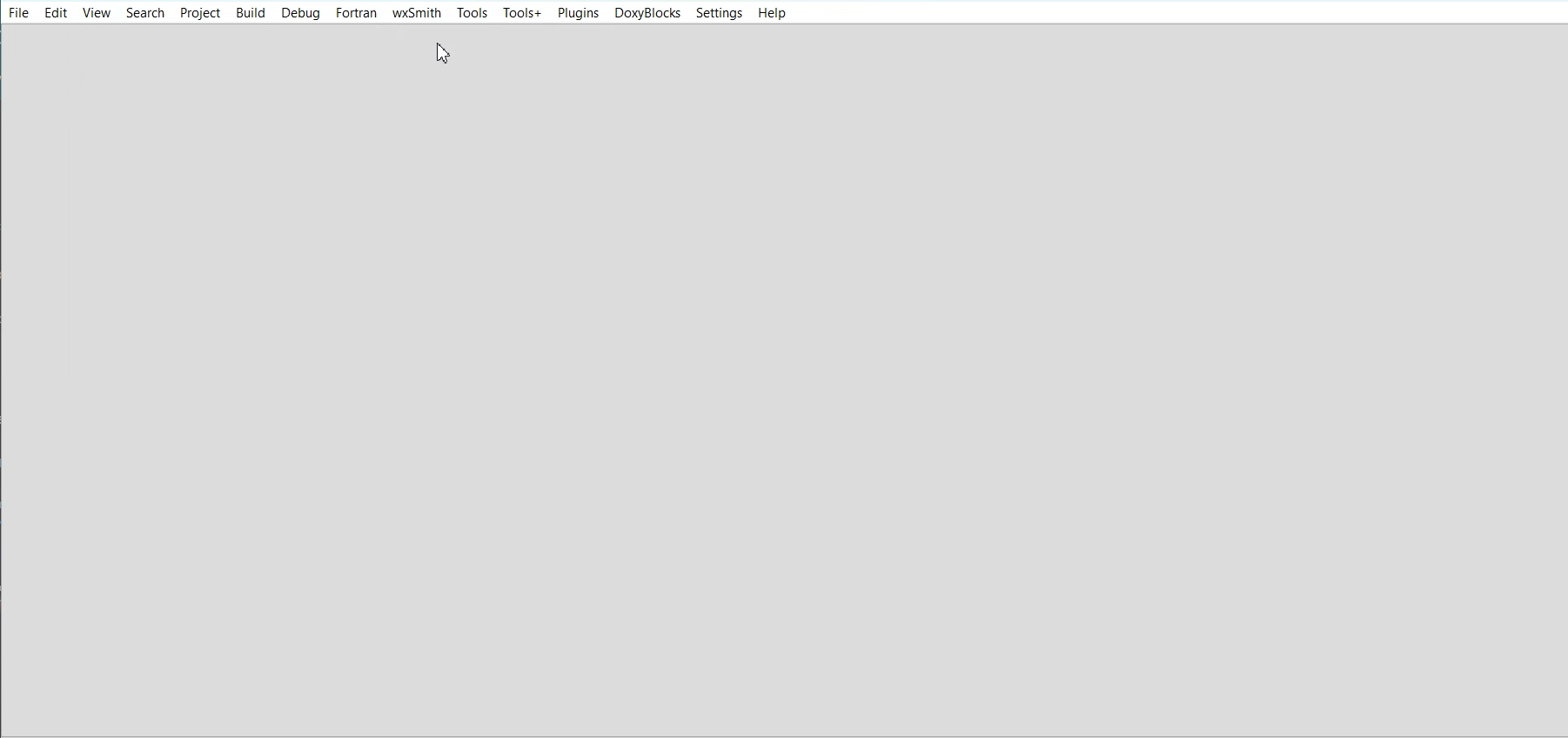  I want to click on Doxyblocks, so click(647, 13).